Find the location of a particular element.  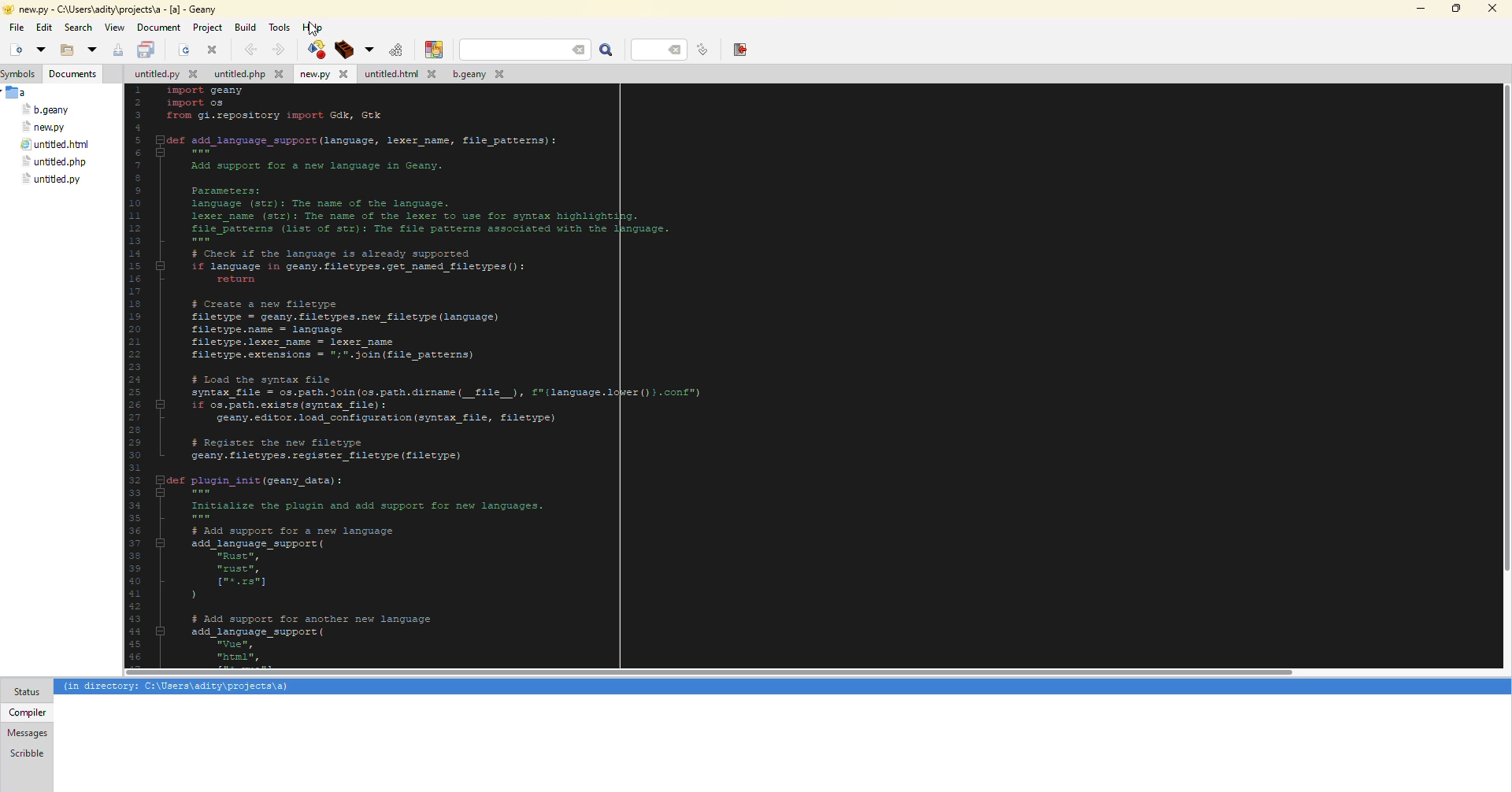

file is located at coordinates (476, 76).